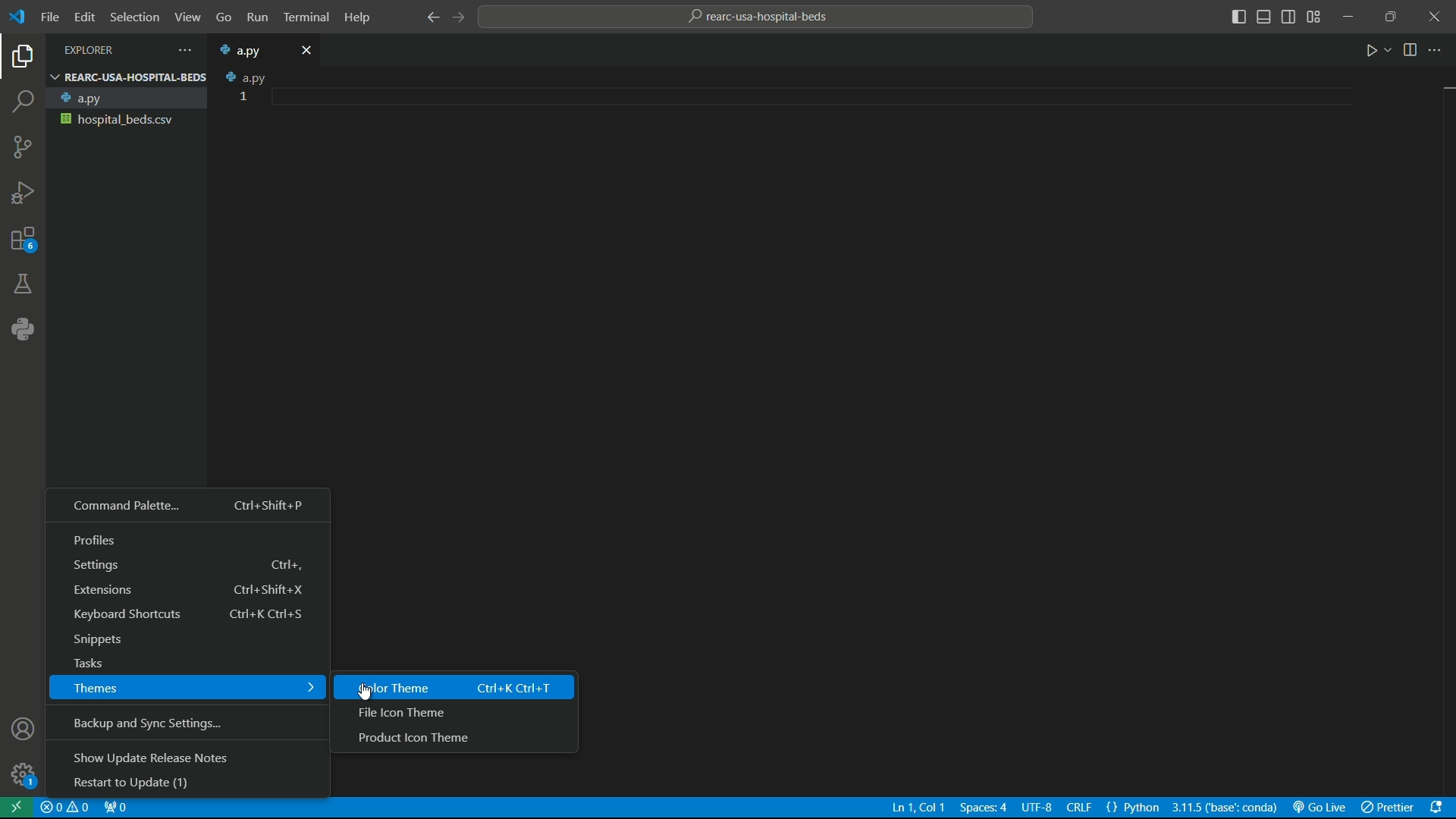 This screenshot has width=1456, height=819. What do you see at coordinates (24, 59) in the screenshot?
I see `explorer` at bounding box center [24, 59].